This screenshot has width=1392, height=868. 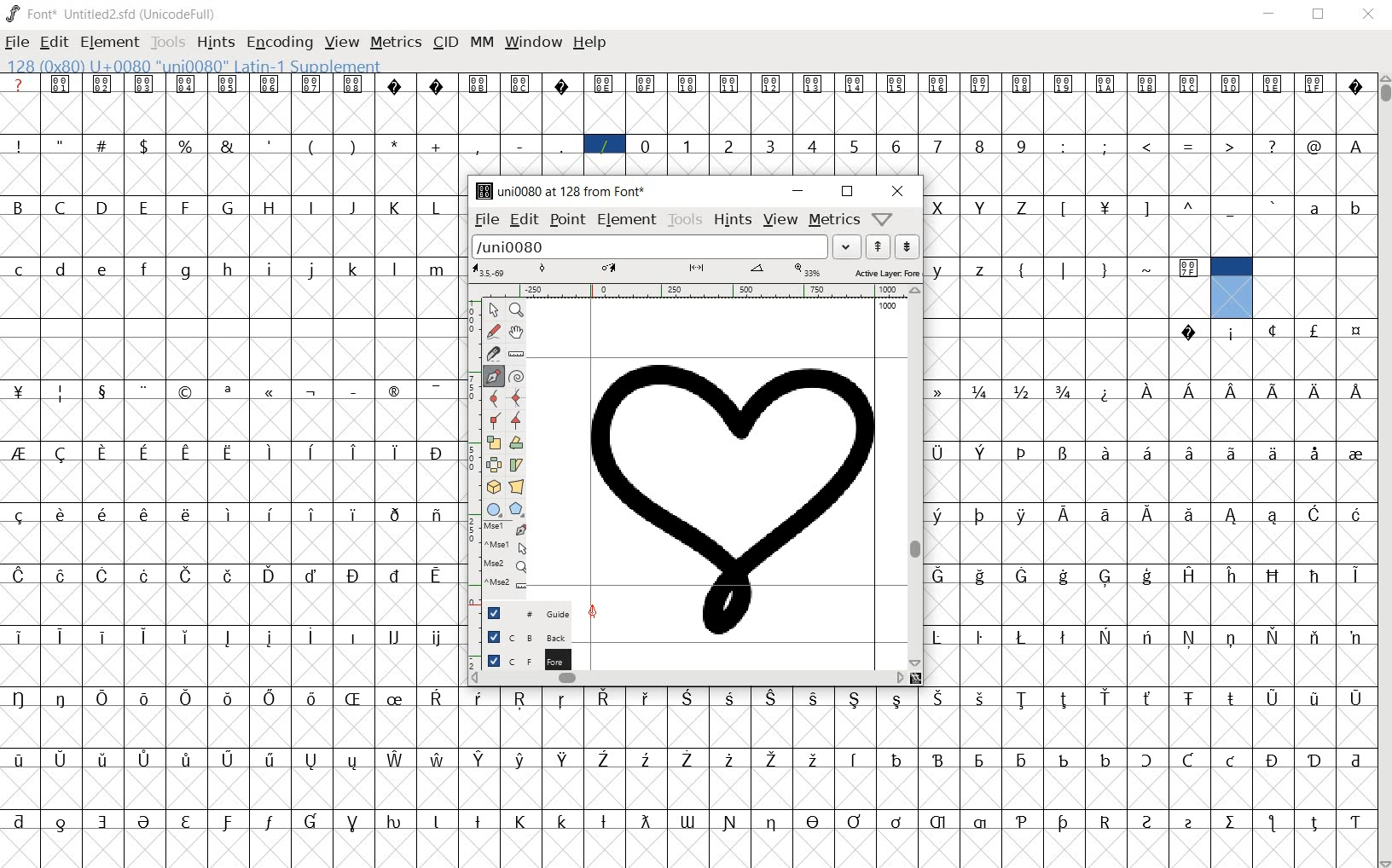 I want to click on glyph, so click(x=437, y=576).